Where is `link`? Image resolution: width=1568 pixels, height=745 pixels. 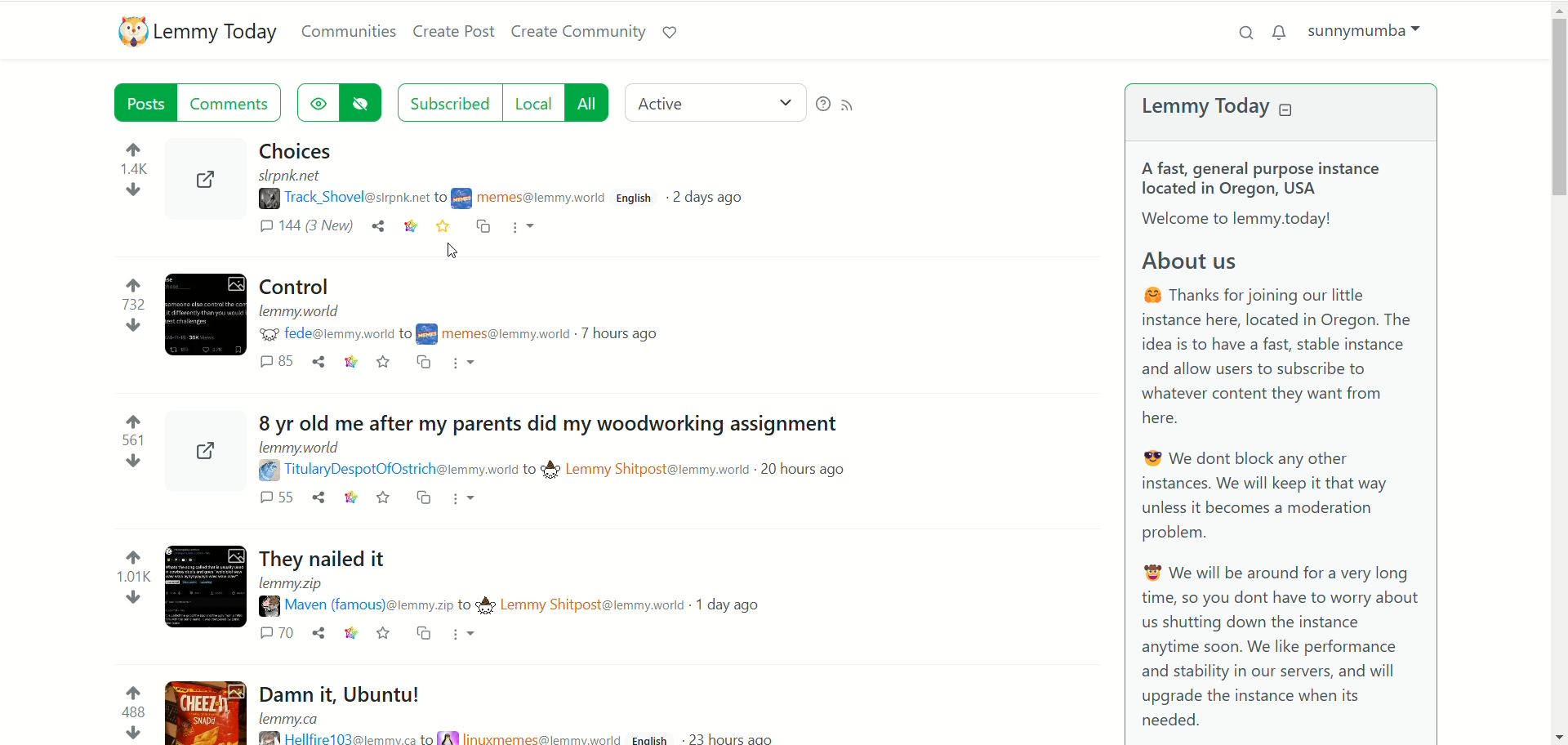 link is located at coordinates (411, 225).